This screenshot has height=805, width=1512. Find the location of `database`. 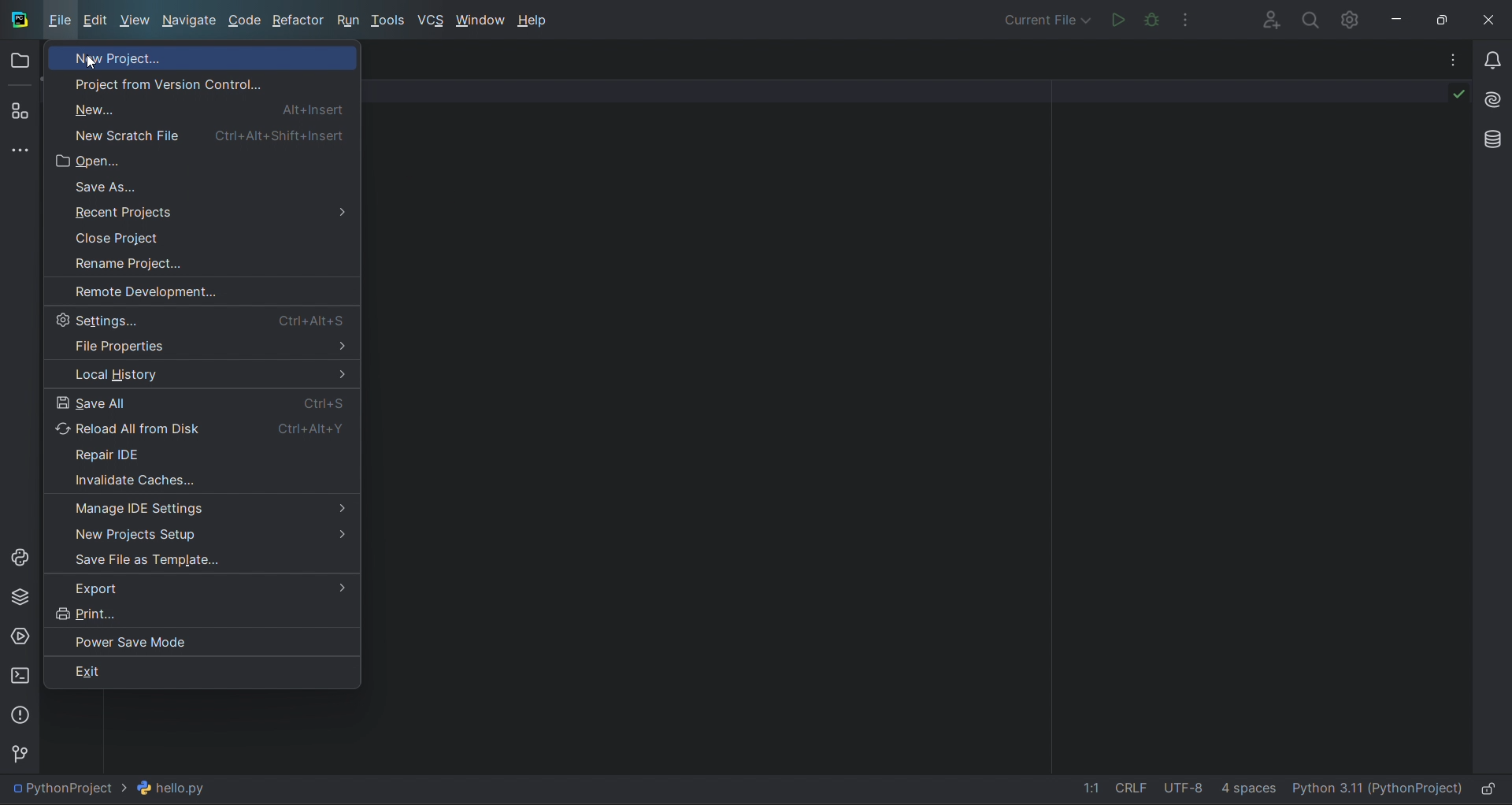

database is located at coordinates (1489, 138).